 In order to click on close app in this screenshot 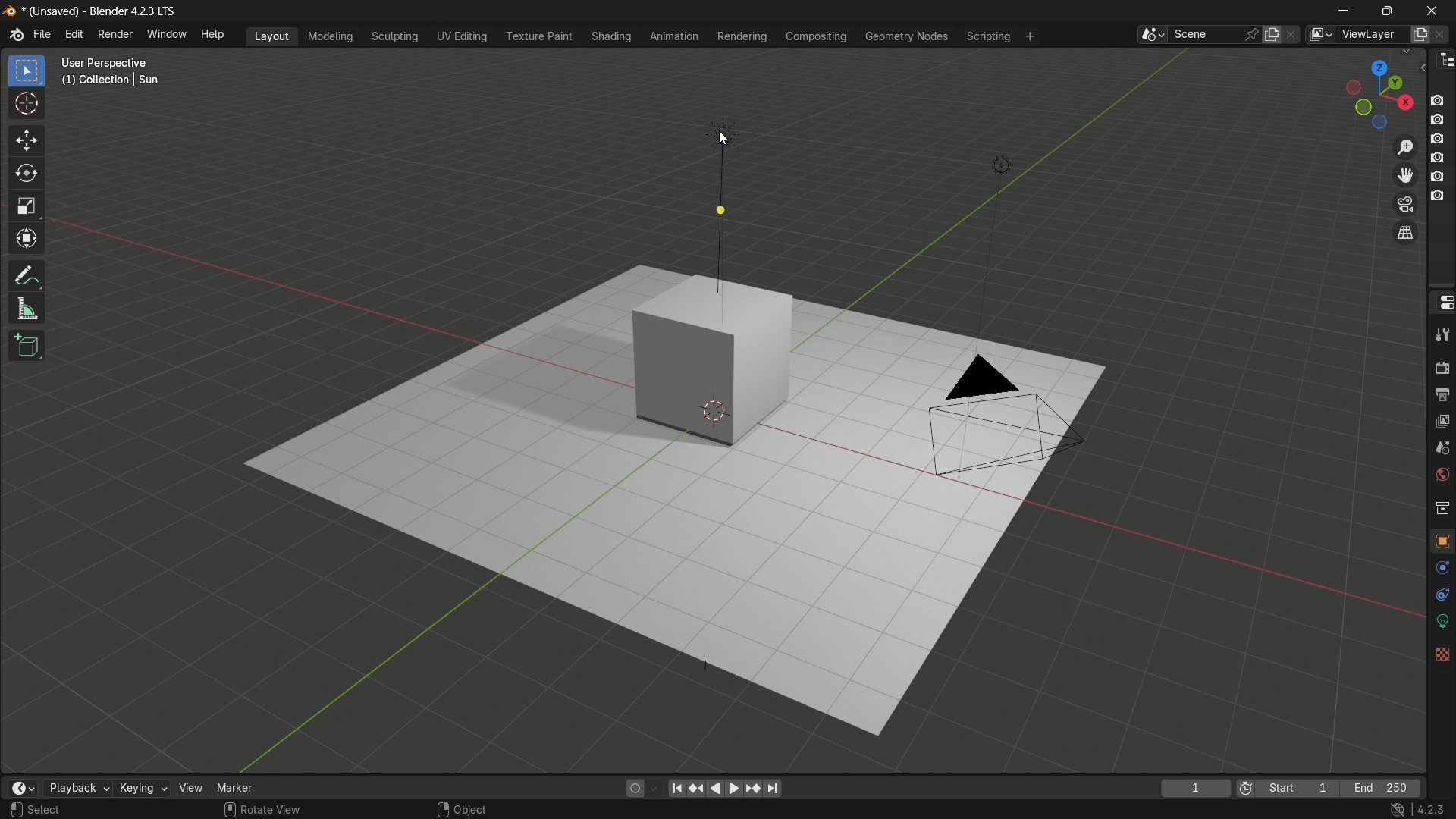, I will do `click(1436, 9)`.